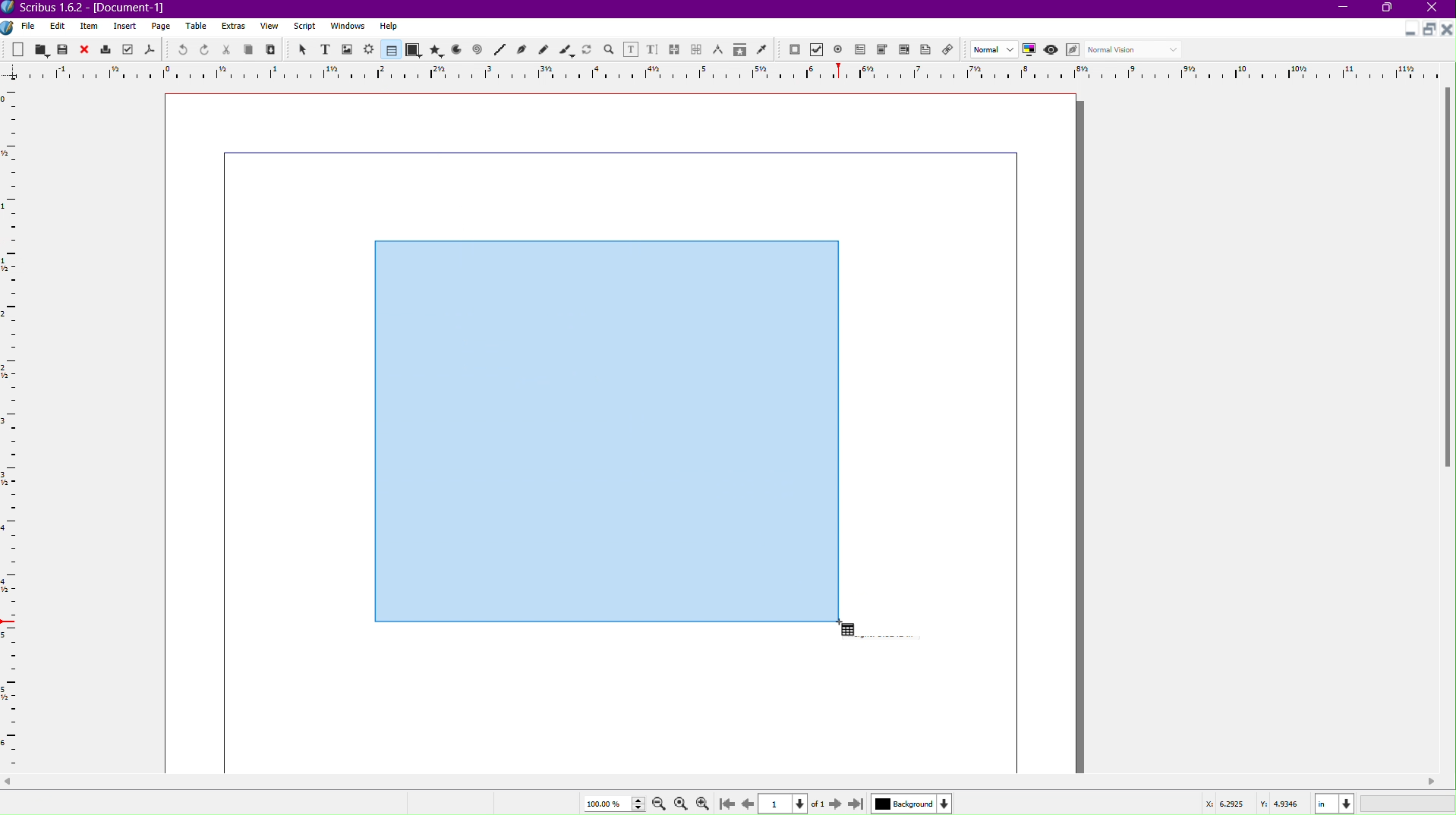  What do you see at coordinates (632, 49) in the screenshot?
I see `Edit Contents of Frame` at bounding box center [632, 49].